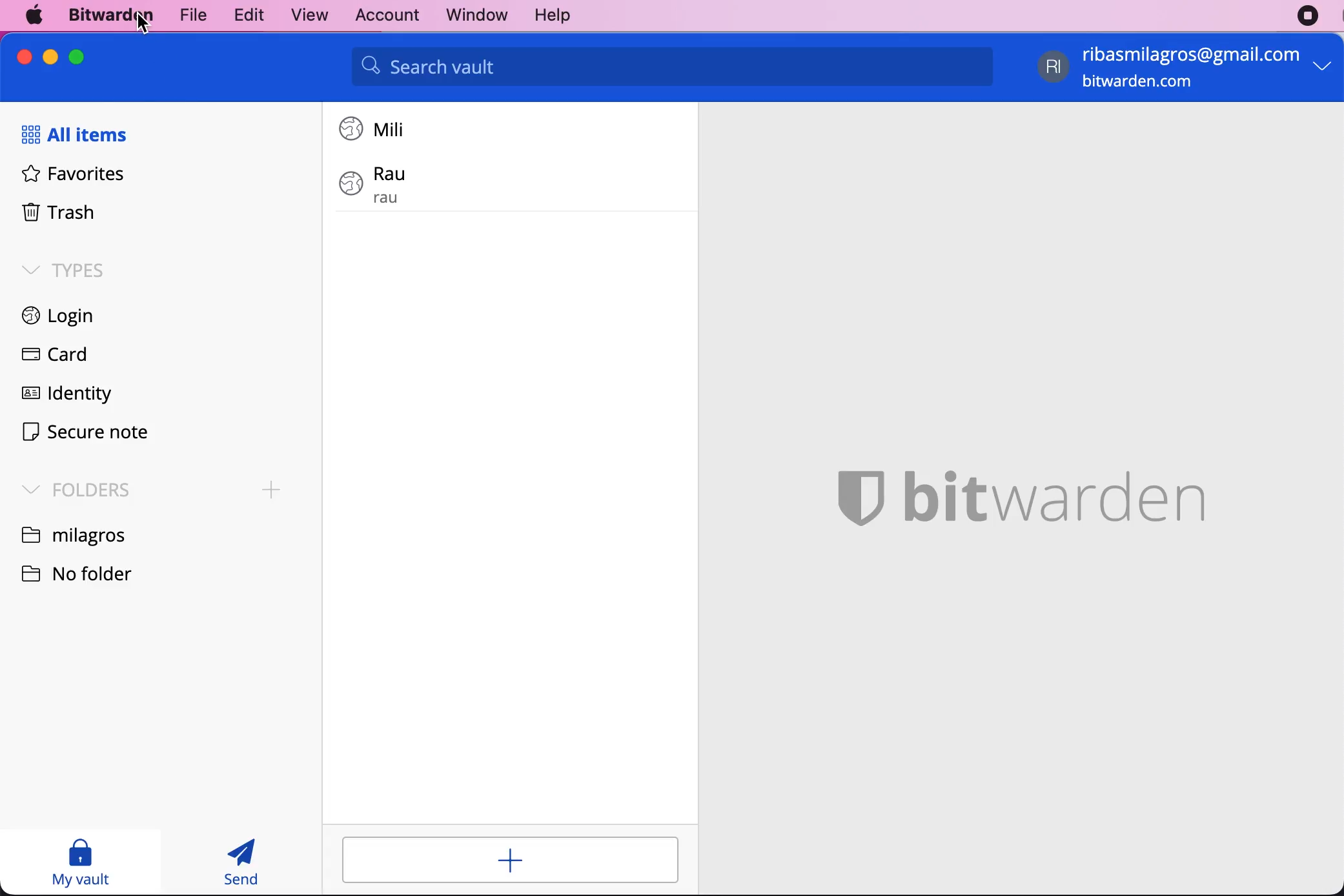 The width and height of the screenshot is (1344, 896). Describe the element at coordinates (50, 318) in the screenshot. I see `login` at that location.